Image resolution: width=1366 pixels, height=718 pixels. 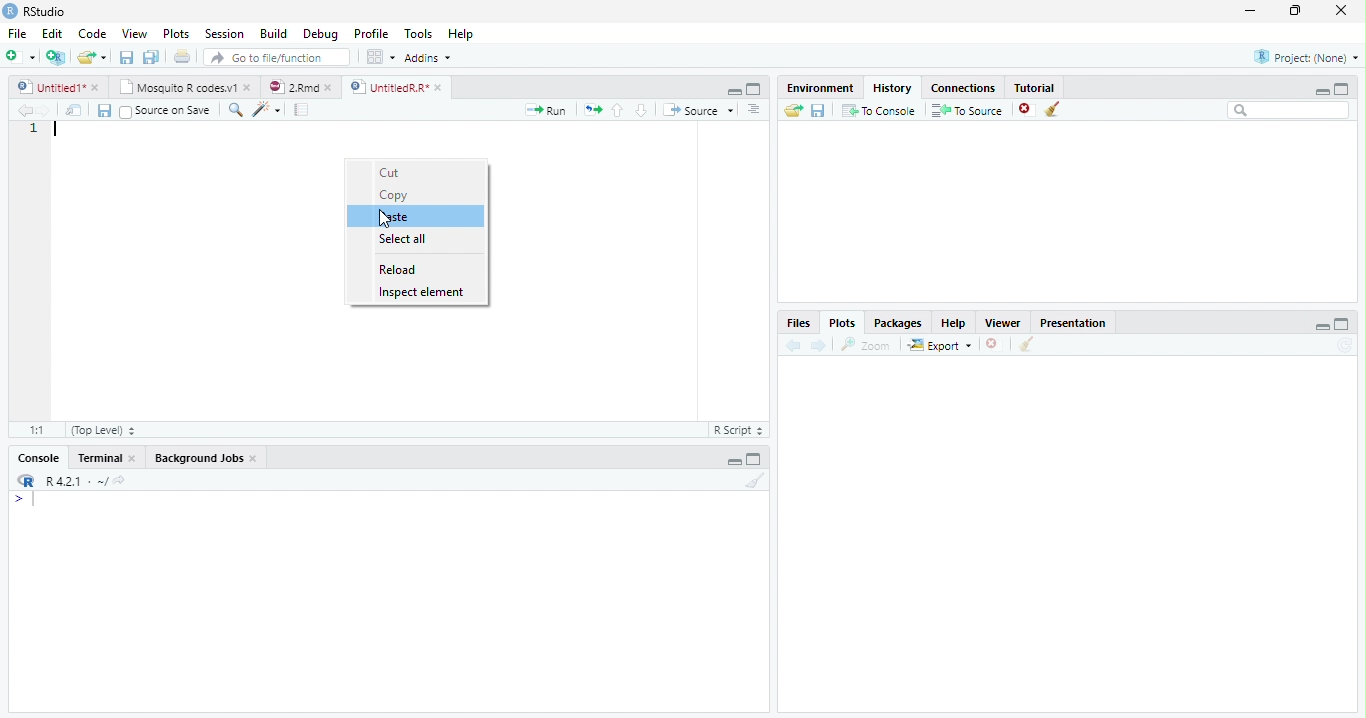 I want to click on To Source, so click(x=967, y=109).